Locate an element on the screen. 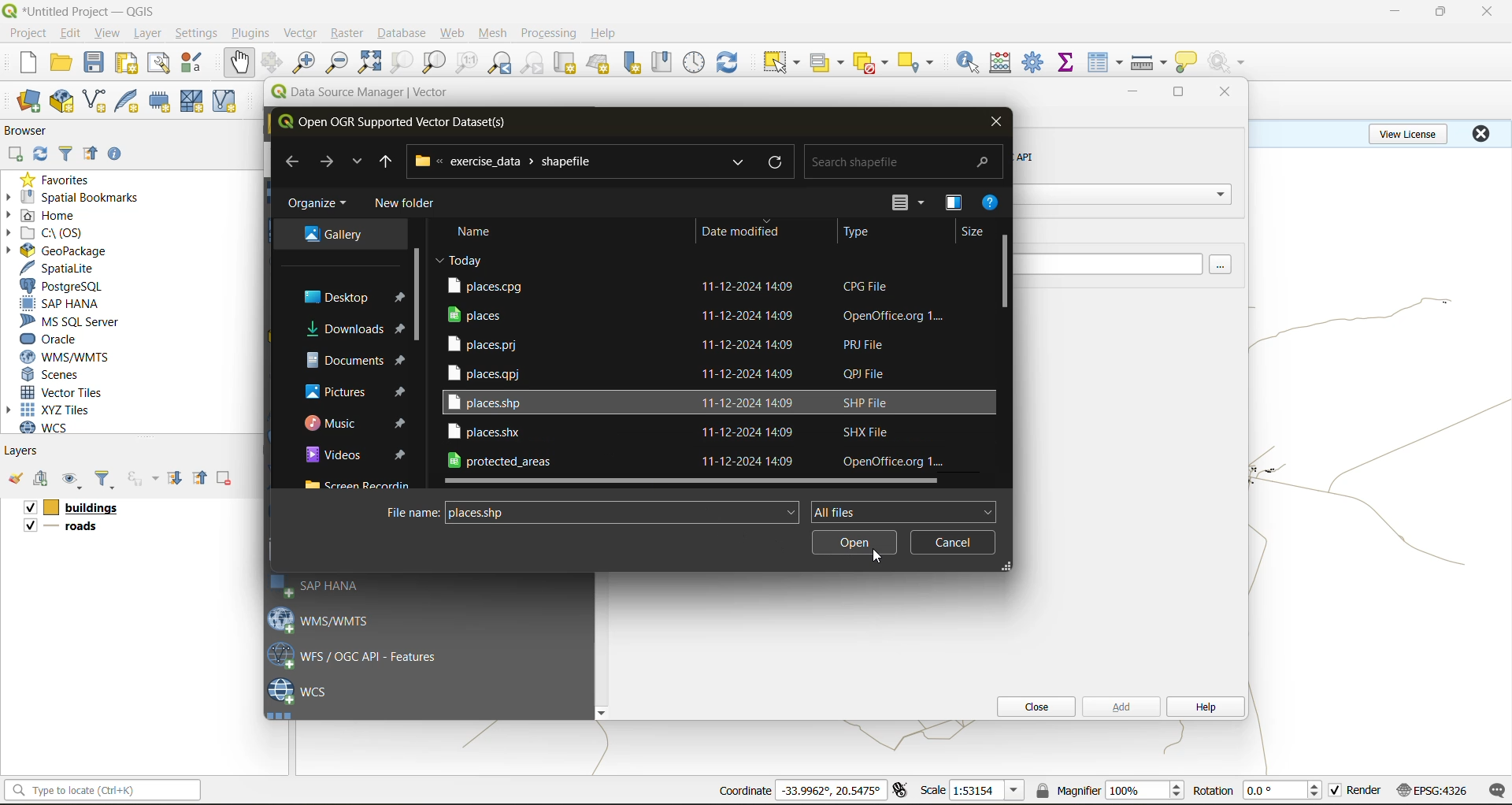  wfs/ogc api feaures is located at coordinates (361, 655).